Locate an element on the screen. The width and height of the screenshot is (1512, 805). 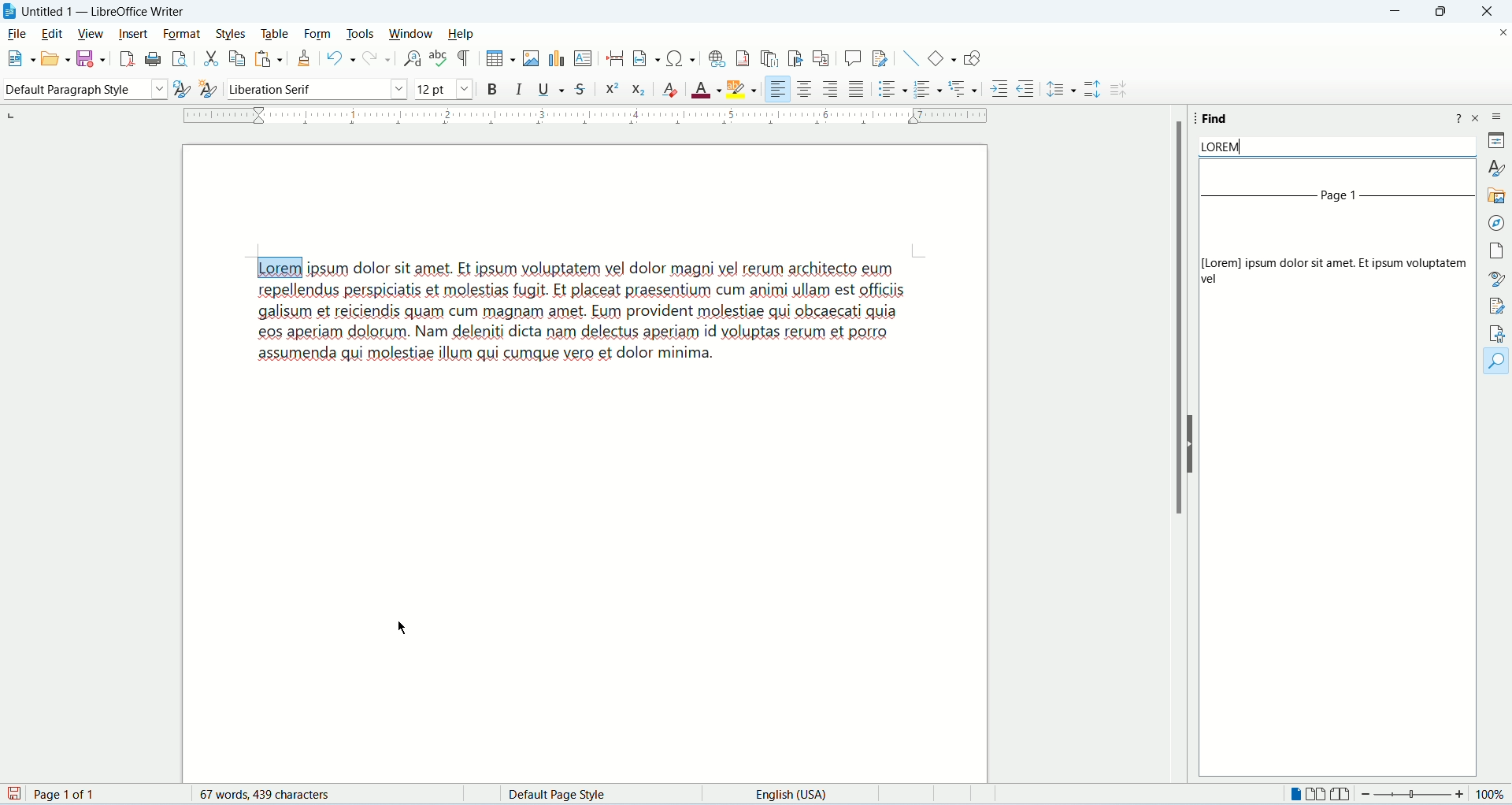
draw function is located at coordinates (976, 61).